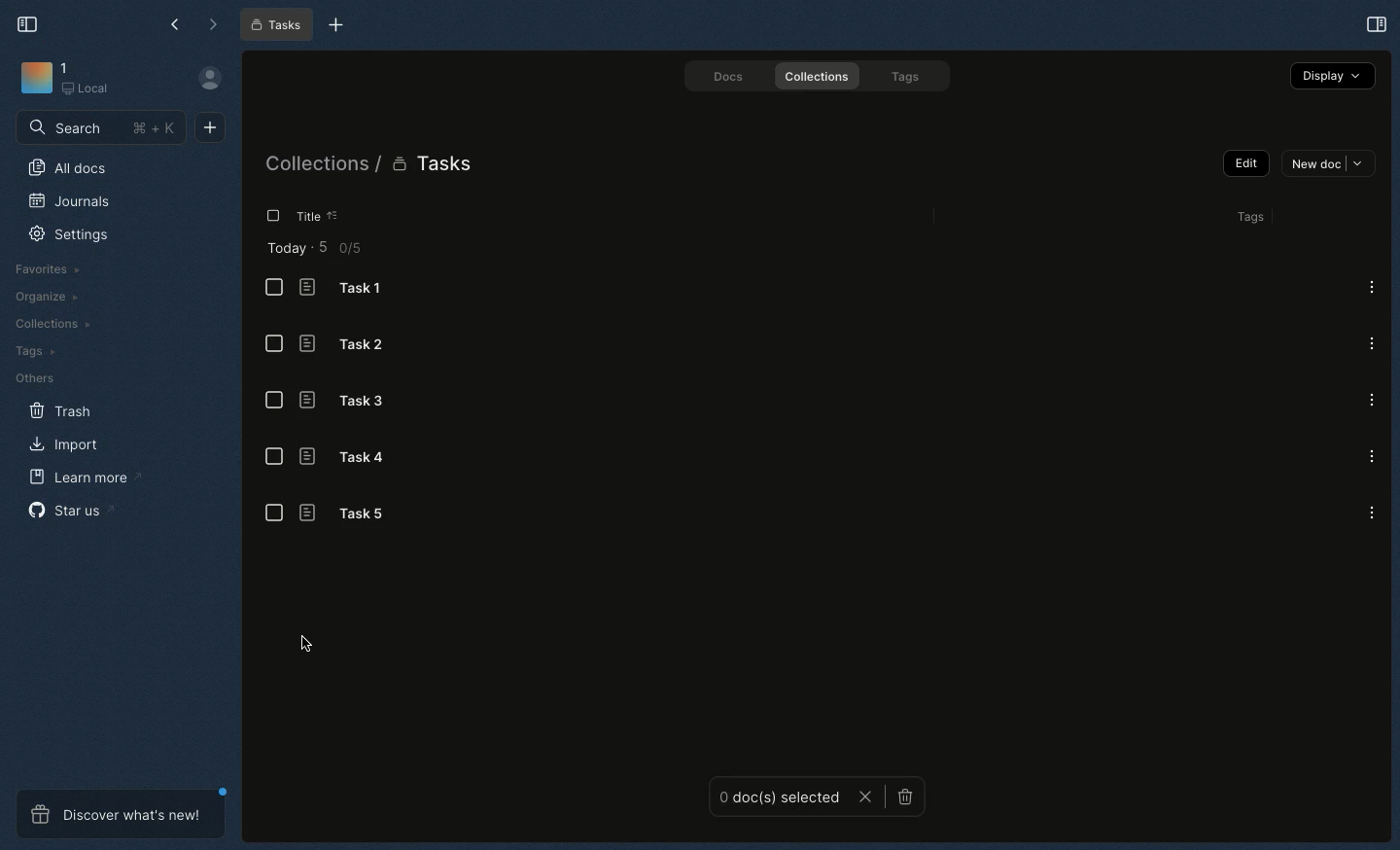 Image resolution: width=1400 pixels, height=850 pixels. Describe the element at coordinates (210, 128) in the screenshot. I see `New document` at that location.